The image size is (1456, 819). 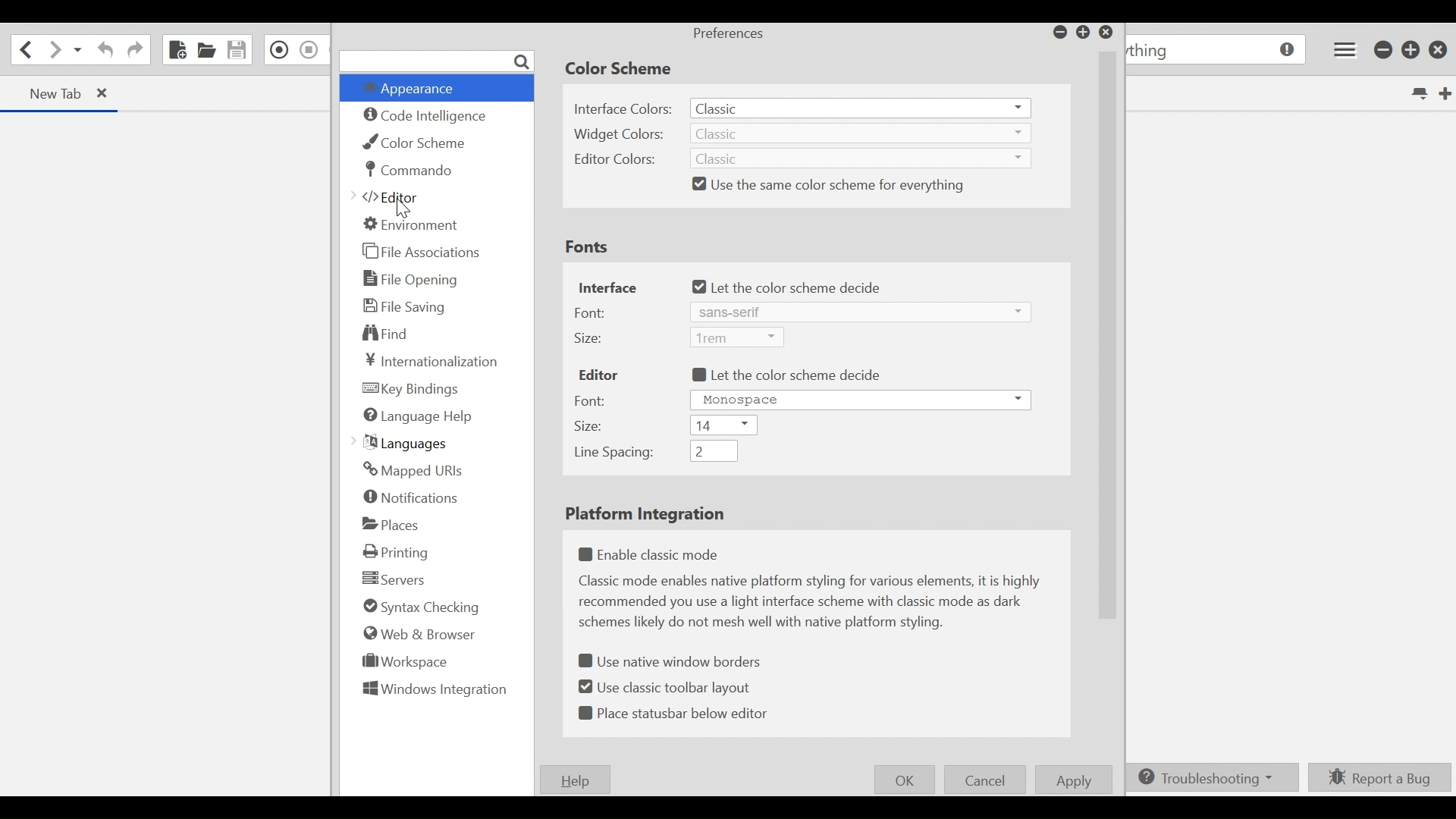 I want to click on  Report a Bug, so click(x=1379, y=778).